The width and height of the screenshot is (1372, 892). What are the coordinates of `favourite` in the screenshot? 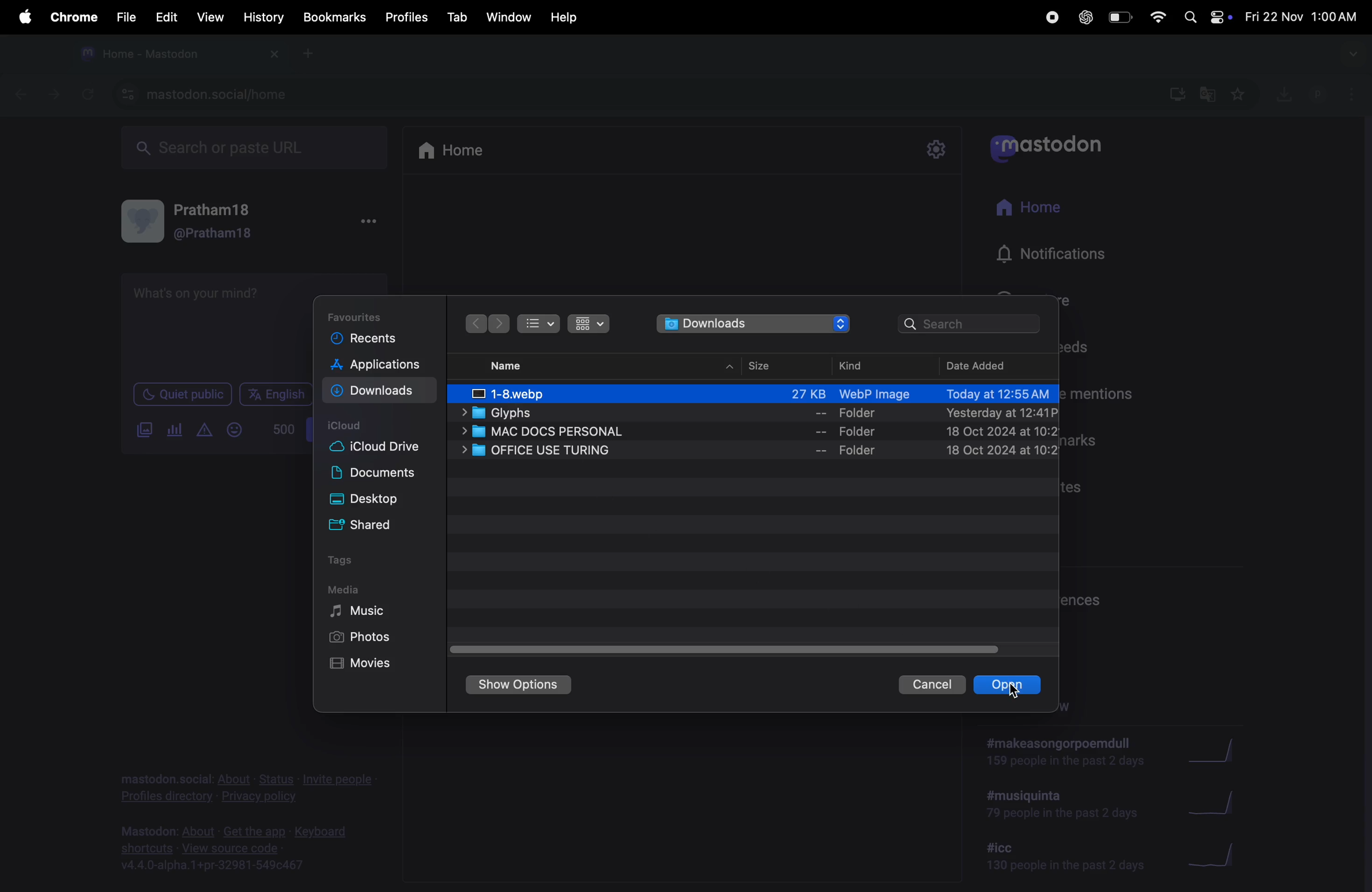 It's located at (1242, 95).